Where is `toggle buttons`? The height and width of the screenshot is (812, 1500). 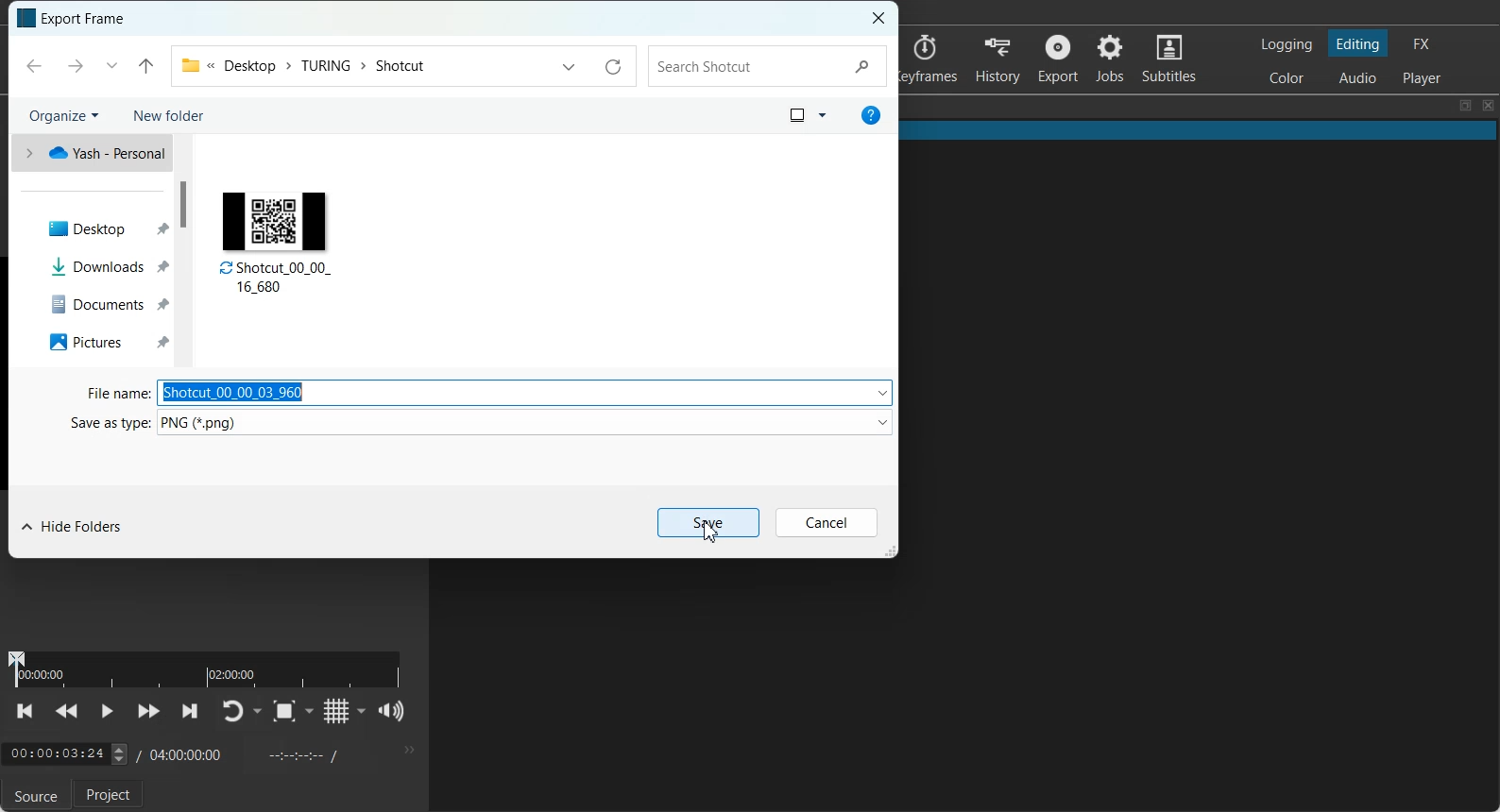 toggle buttons is located at coordinates (117, 755).